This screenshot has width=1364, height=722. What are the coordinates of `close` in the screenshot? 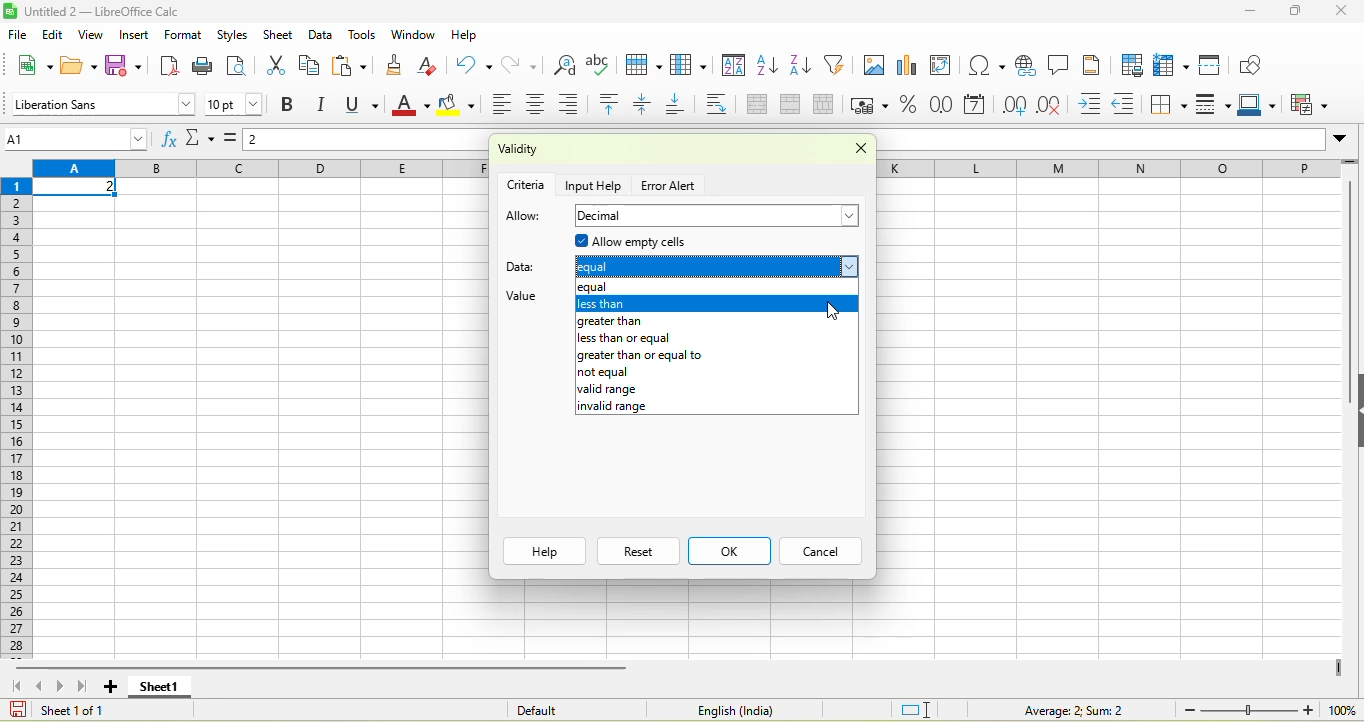 It's located at (1344, 10).